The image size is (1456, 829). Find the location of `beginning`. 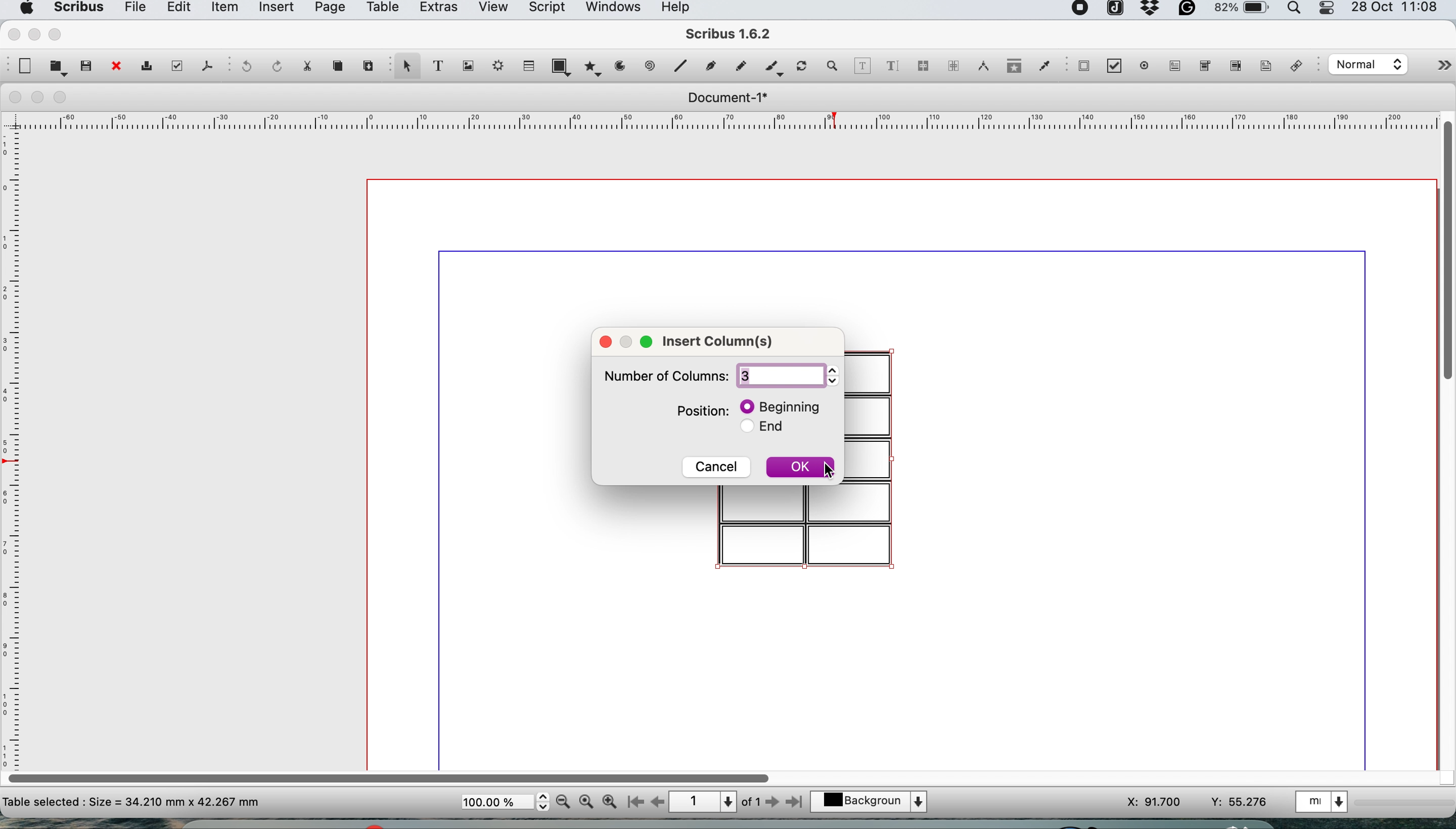

beginning is located at coordinates (773, 406).